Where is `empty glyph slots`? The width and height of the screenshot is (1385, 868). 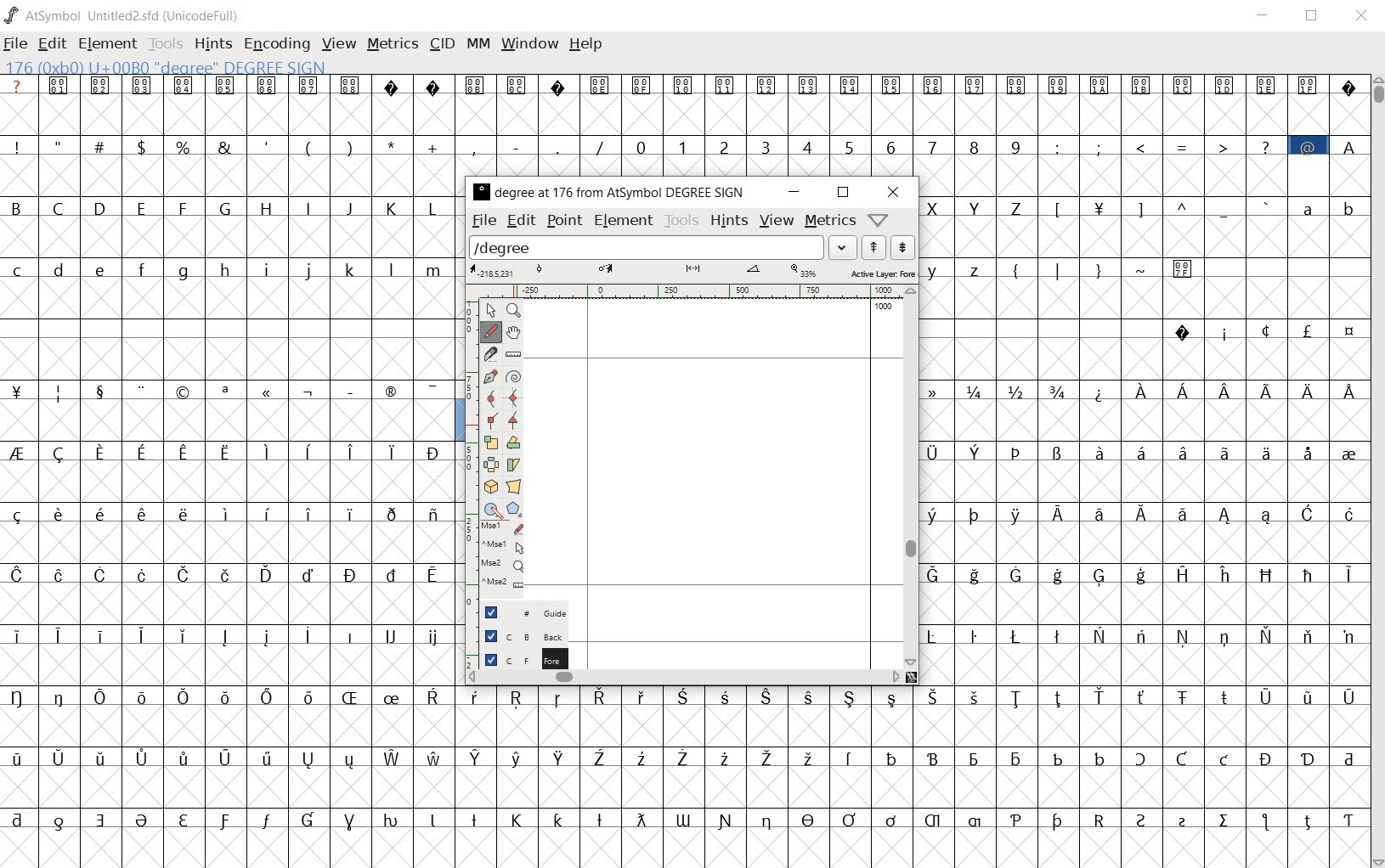 empty glyph slots is located at coordinates (911, 727).